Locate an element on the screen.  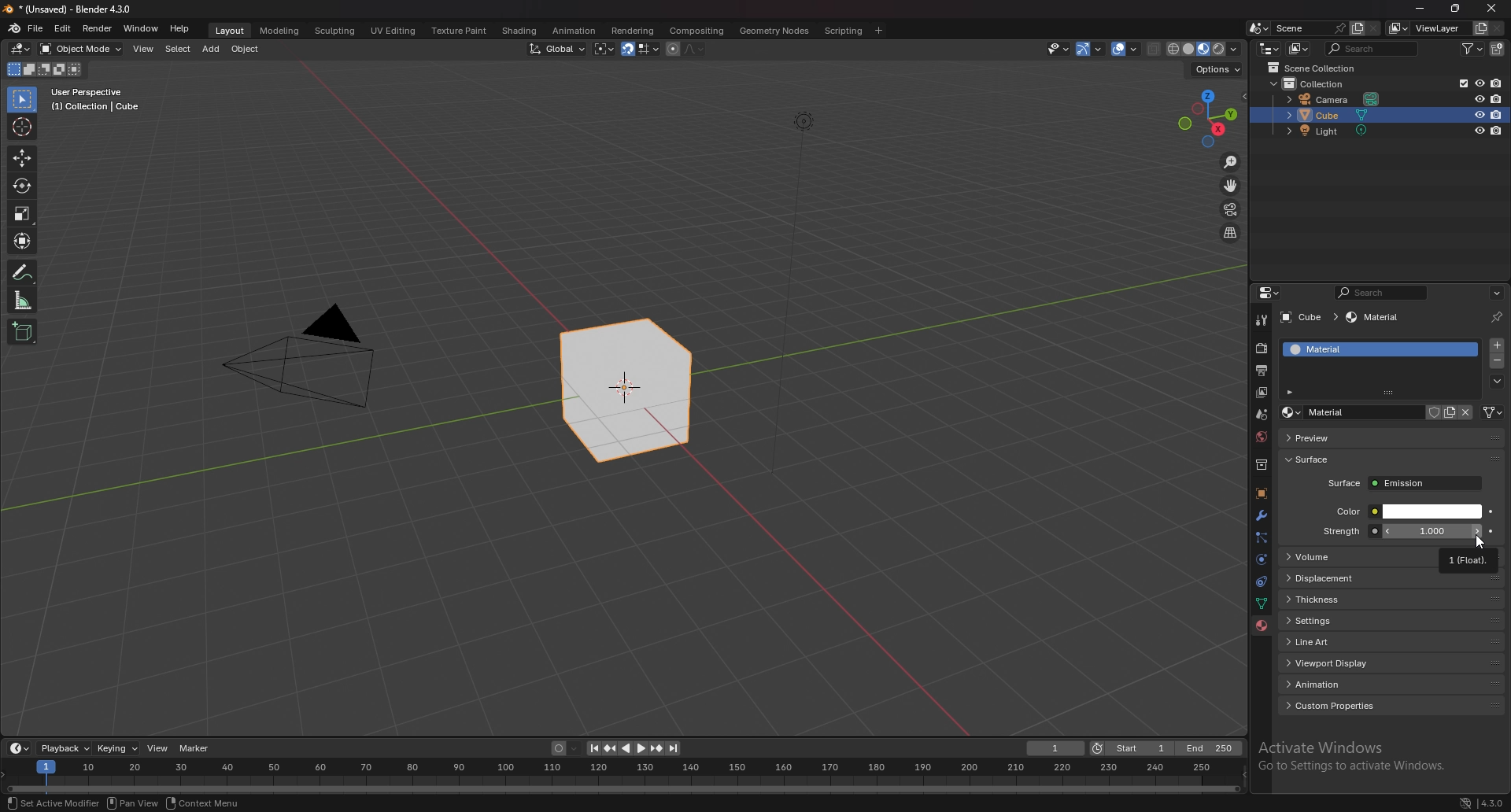
toggle pin id is located at coordinates (1496, 317).